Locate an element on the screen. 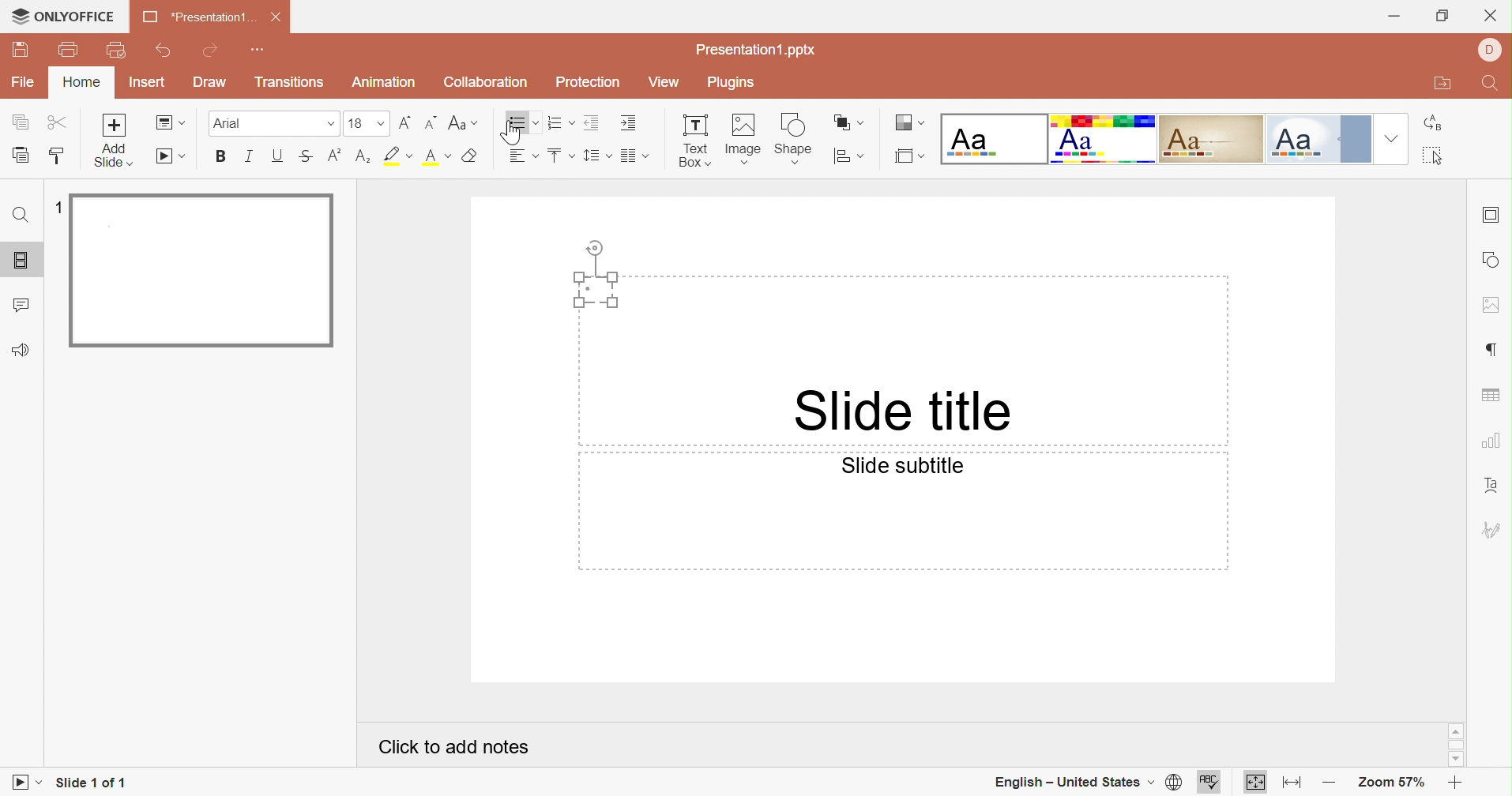 Image resolution: width=1512 pixels, height=796 pixels. Customize quick access toolbar is located at coordinates (261, 50).